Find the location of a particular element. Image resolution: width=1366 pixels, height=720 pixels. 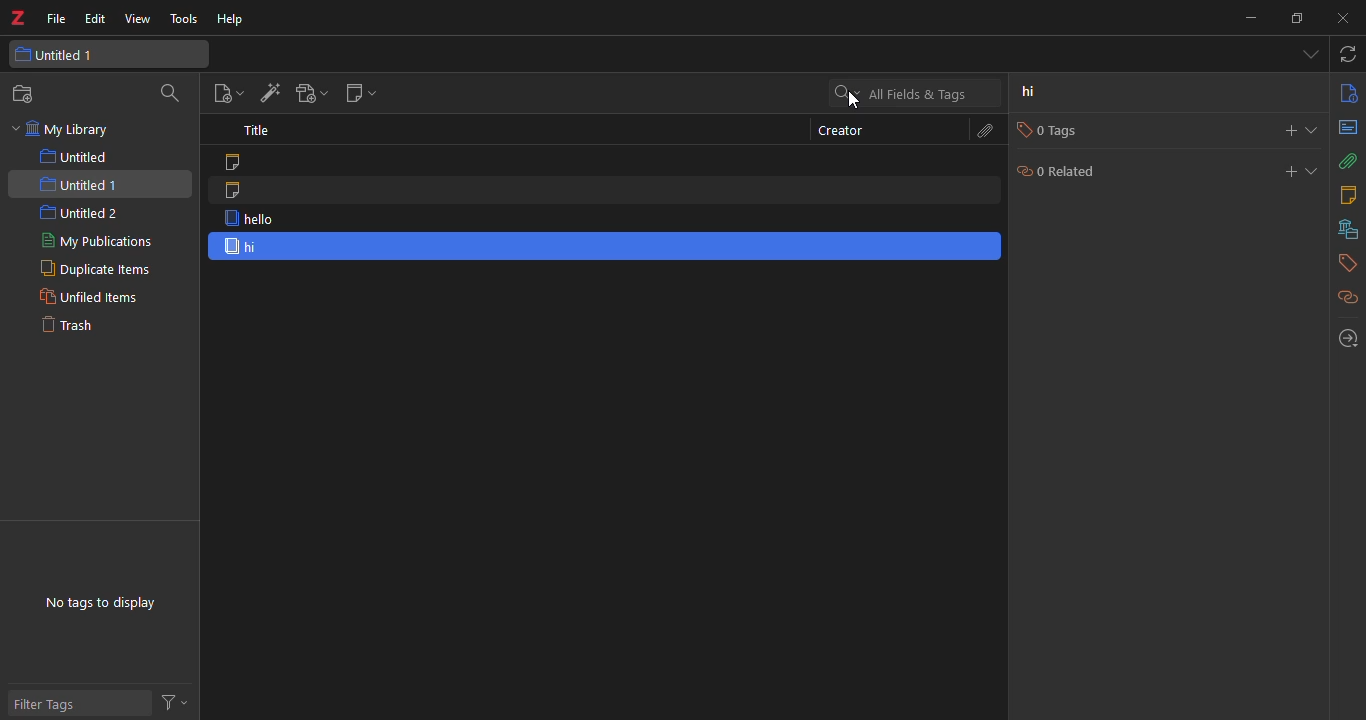

all fields and tags is located at coordinates (907, 92).